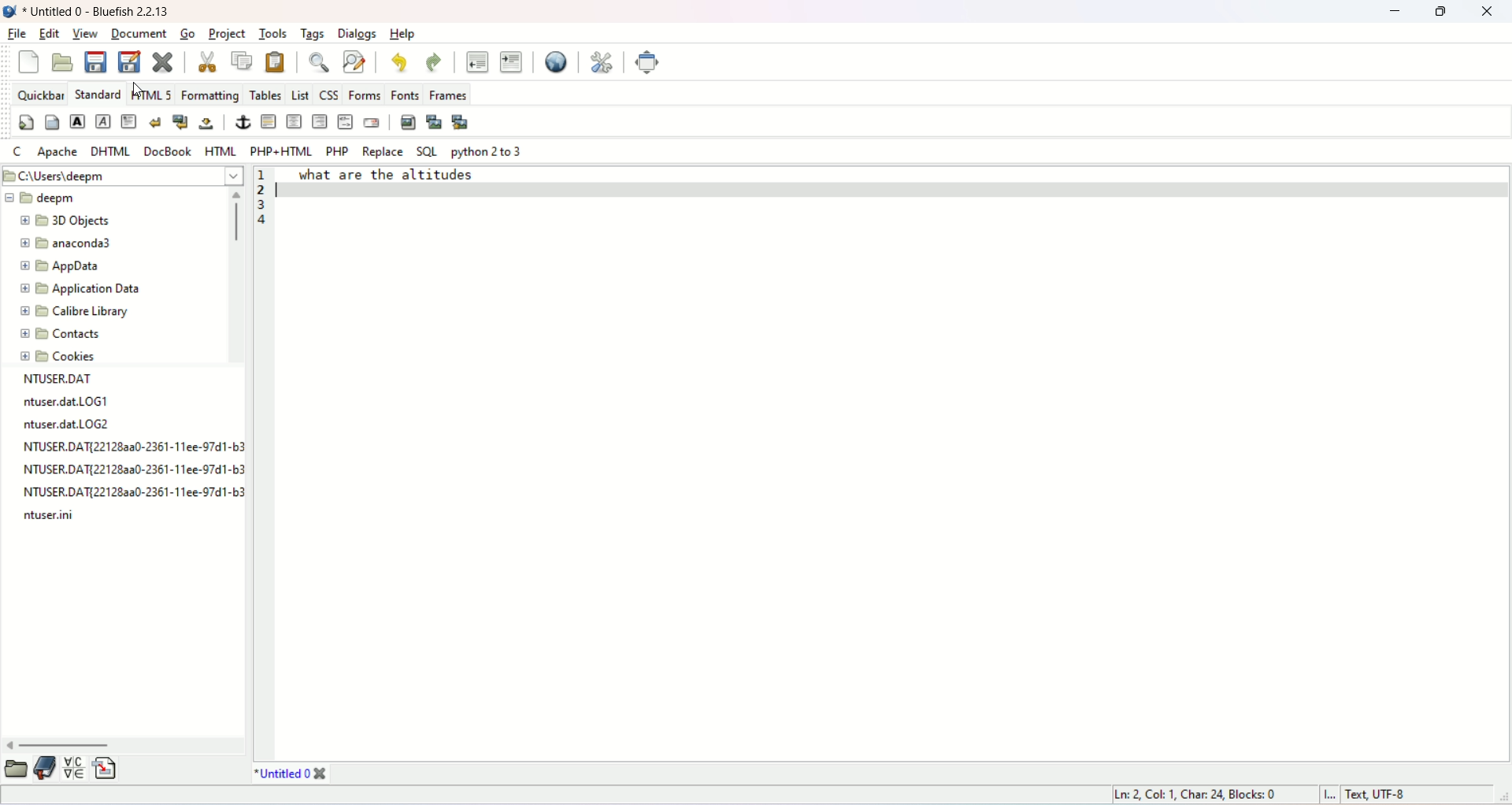  Describe the element at coordinates (649, 61) in the screenshot. I see `fullscreen` at that location.